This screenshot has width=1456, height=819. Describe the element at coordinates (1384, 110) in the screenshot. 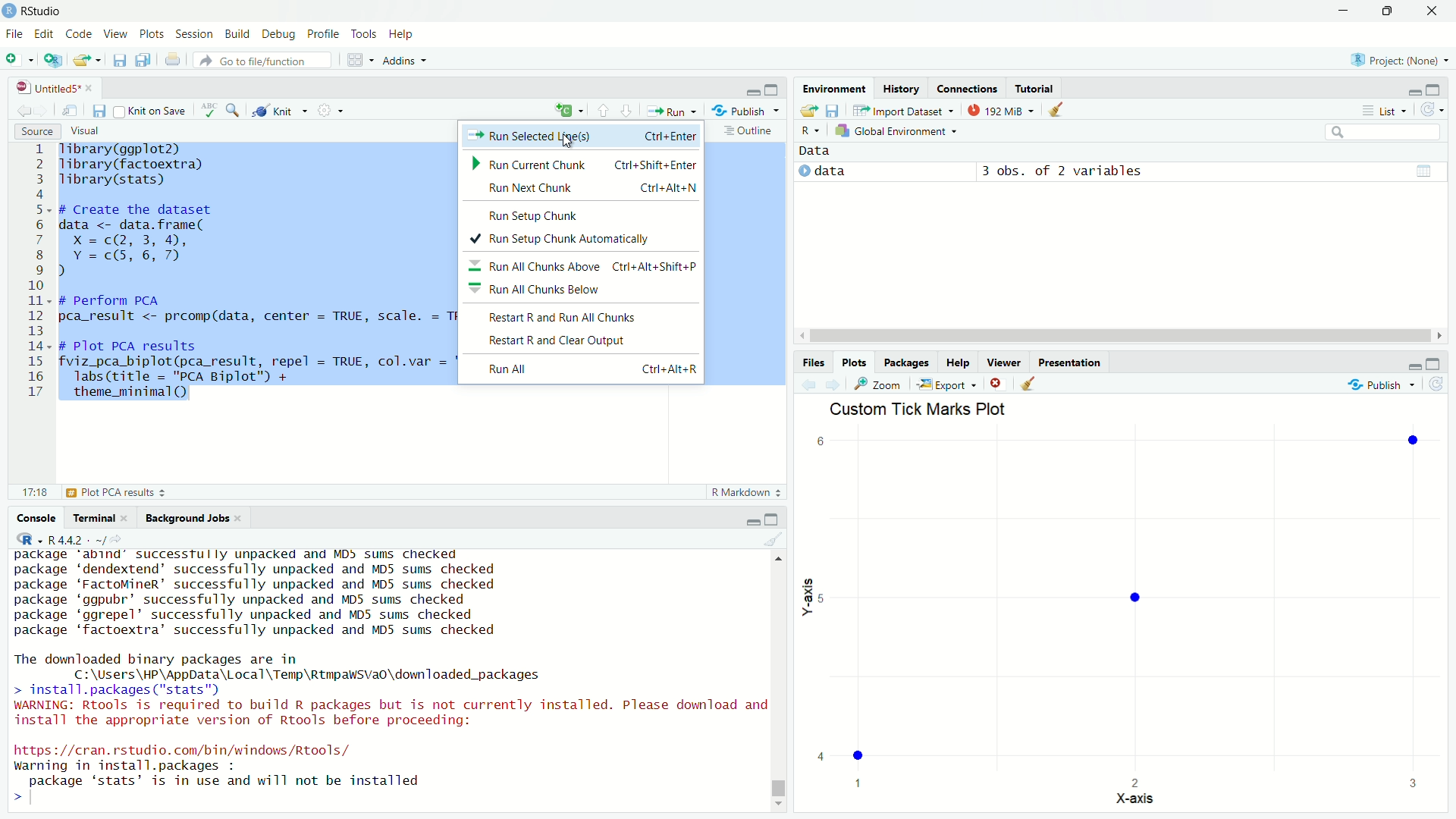

I see `list view` at that location.